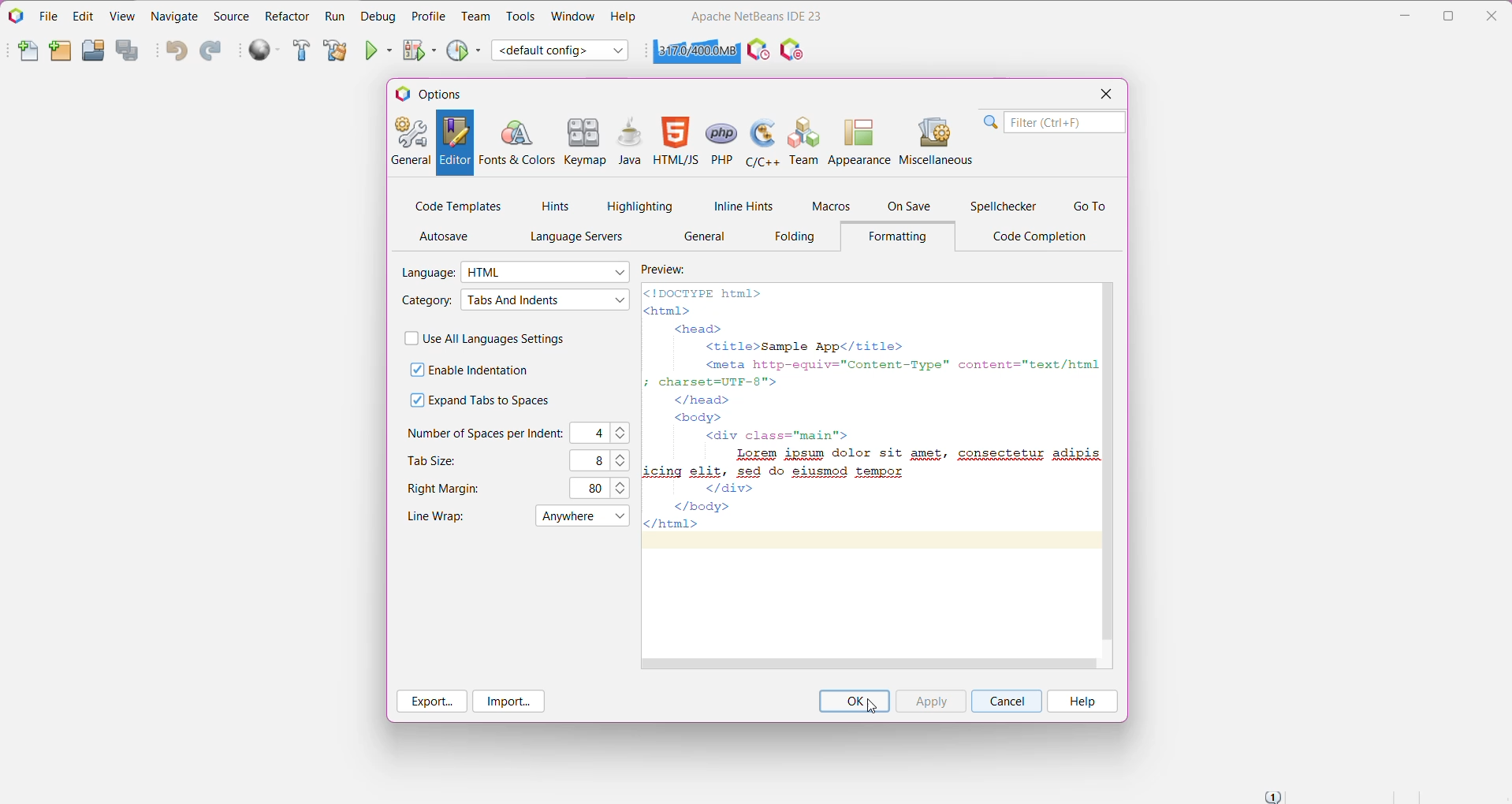  Describe the element at coordinates (572, 237) in the screenshot. I see `Language Servers` at that location.